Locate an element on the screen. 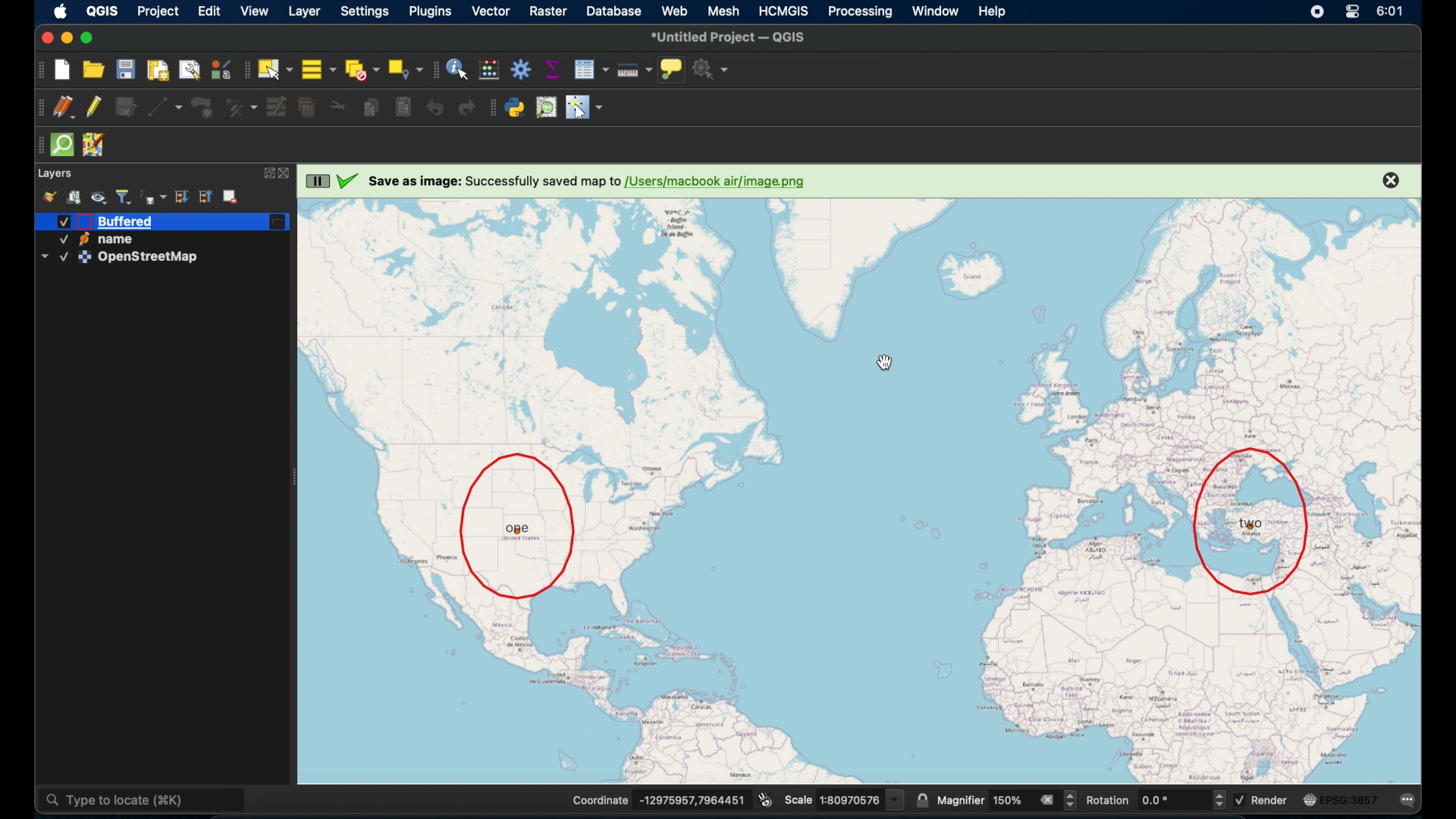 This screenshot has height=819, width=1456. switches mouse to configurable pointer is located at coordinates (585, 108).